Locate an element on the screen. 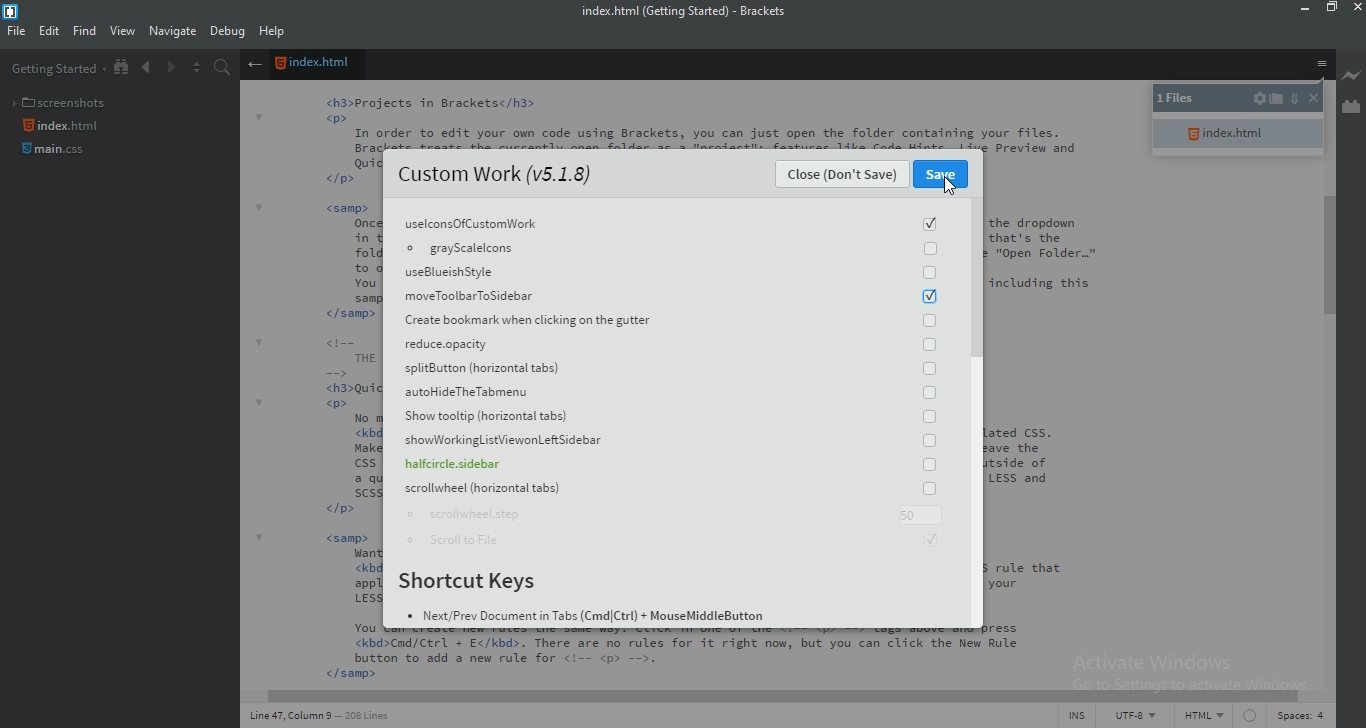 This screenshot has height=728, width=1366. Create bookmark when clicking on the gutter is located at coordinates (670, 321).